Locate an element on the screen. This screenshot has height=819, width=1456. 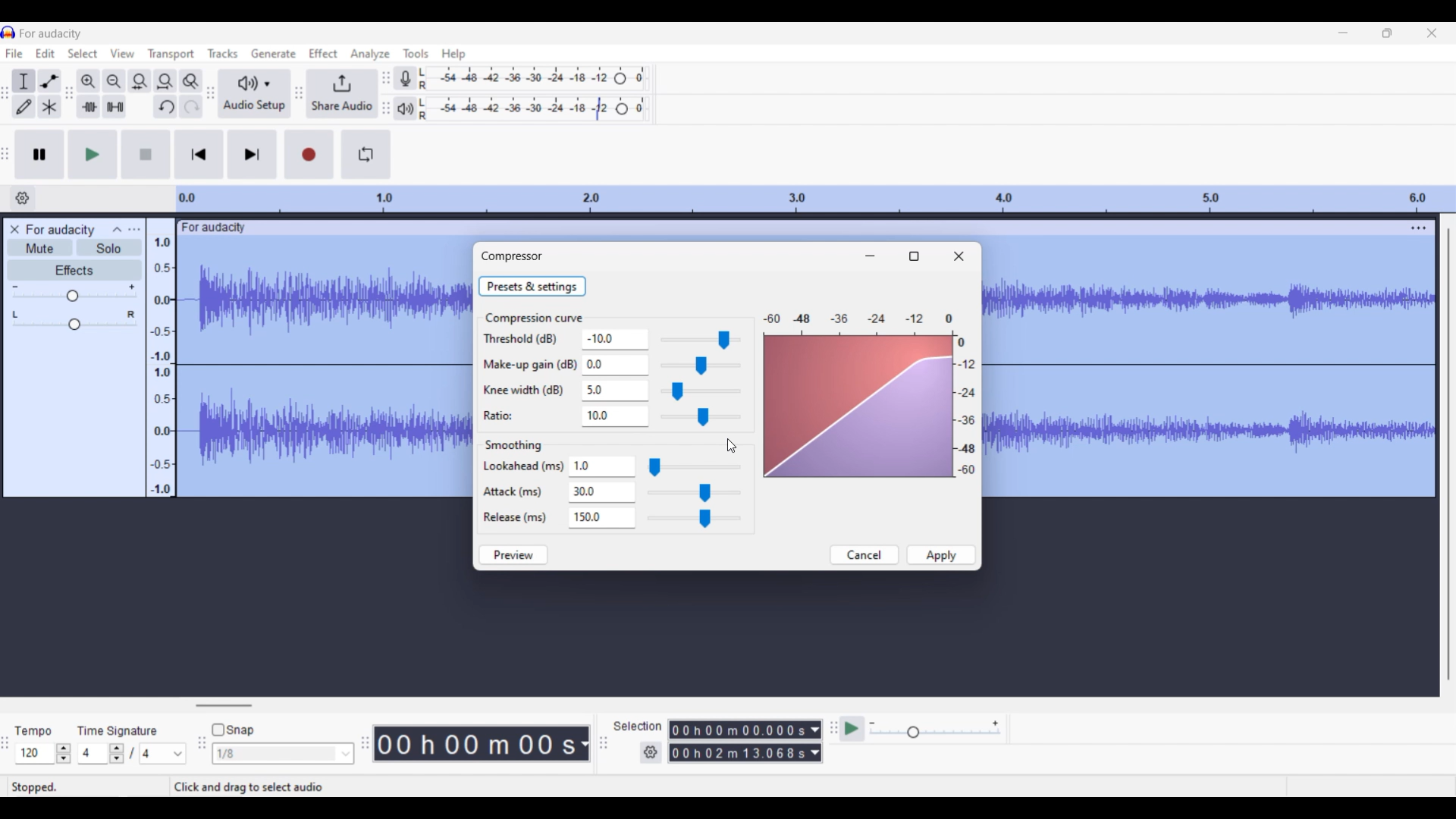
Settings is located at coordinates (651, 752).